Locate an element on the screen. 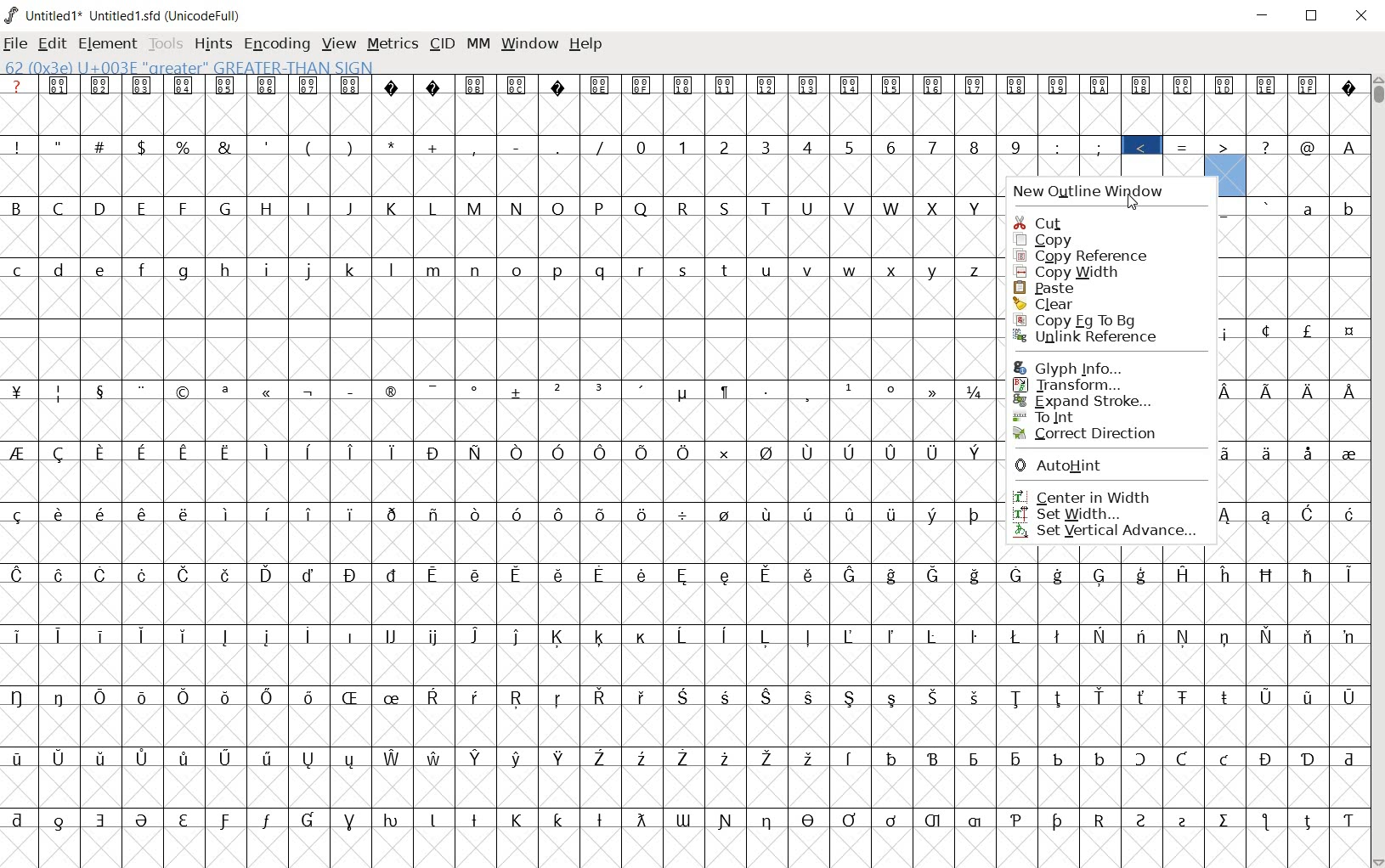 Image resolution: width=1385 pixels, height=868 pixels. cid is located at coordinates (441, 42).